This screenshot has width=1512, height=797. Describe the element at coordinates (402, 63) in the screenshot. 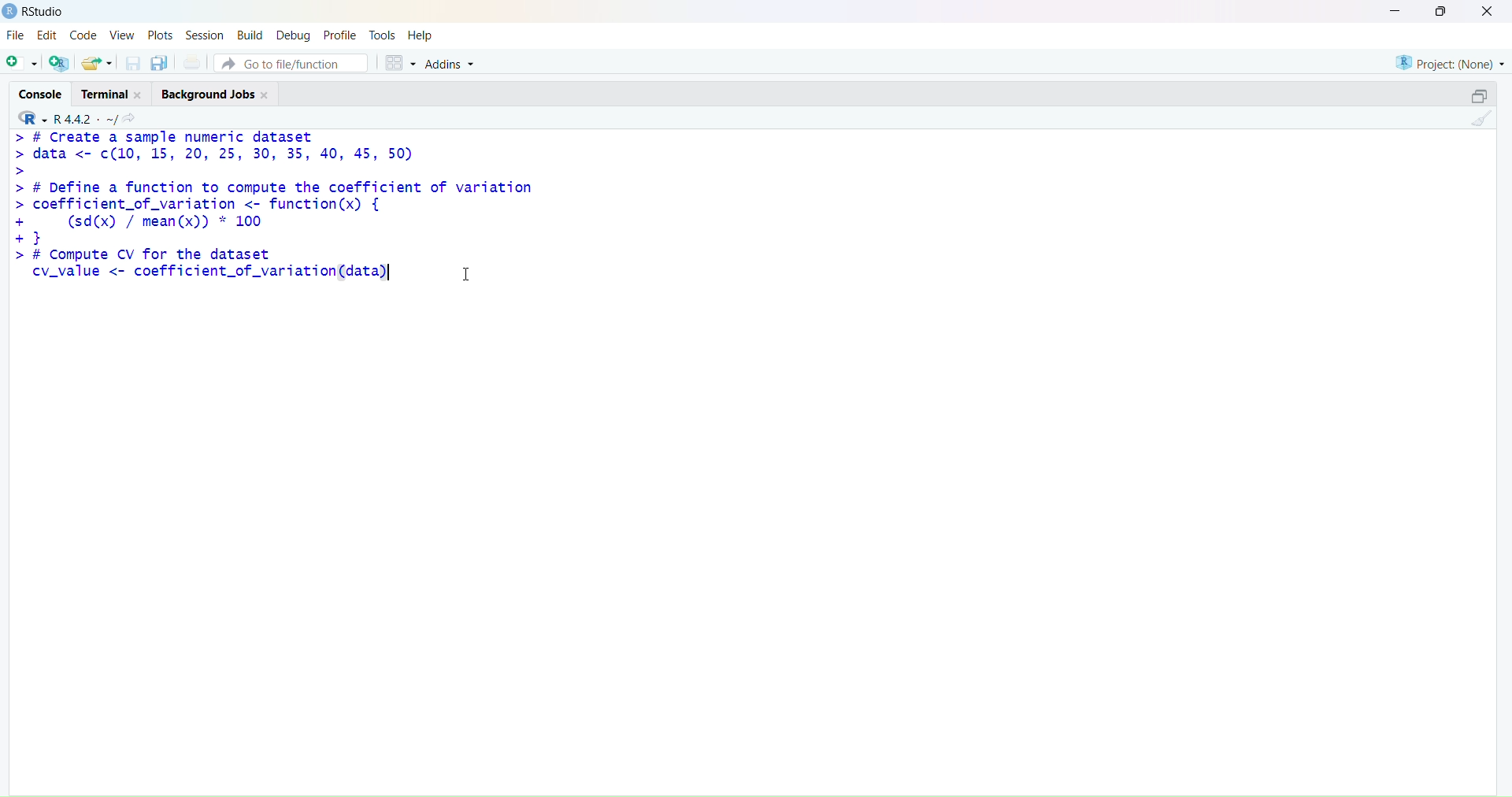

I see `grid` at that location.